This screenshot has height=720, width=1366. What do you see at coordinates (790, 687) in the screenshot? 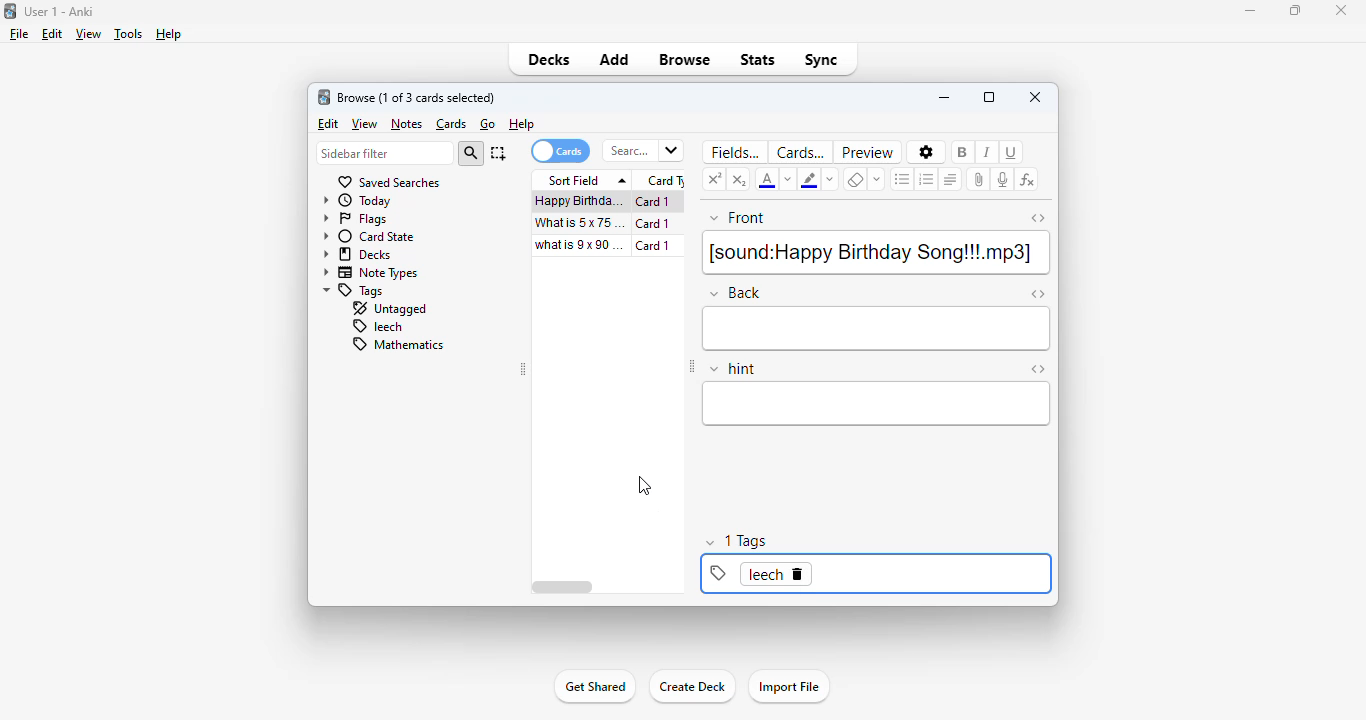
I see `import file` at bounding box center [790, 687].